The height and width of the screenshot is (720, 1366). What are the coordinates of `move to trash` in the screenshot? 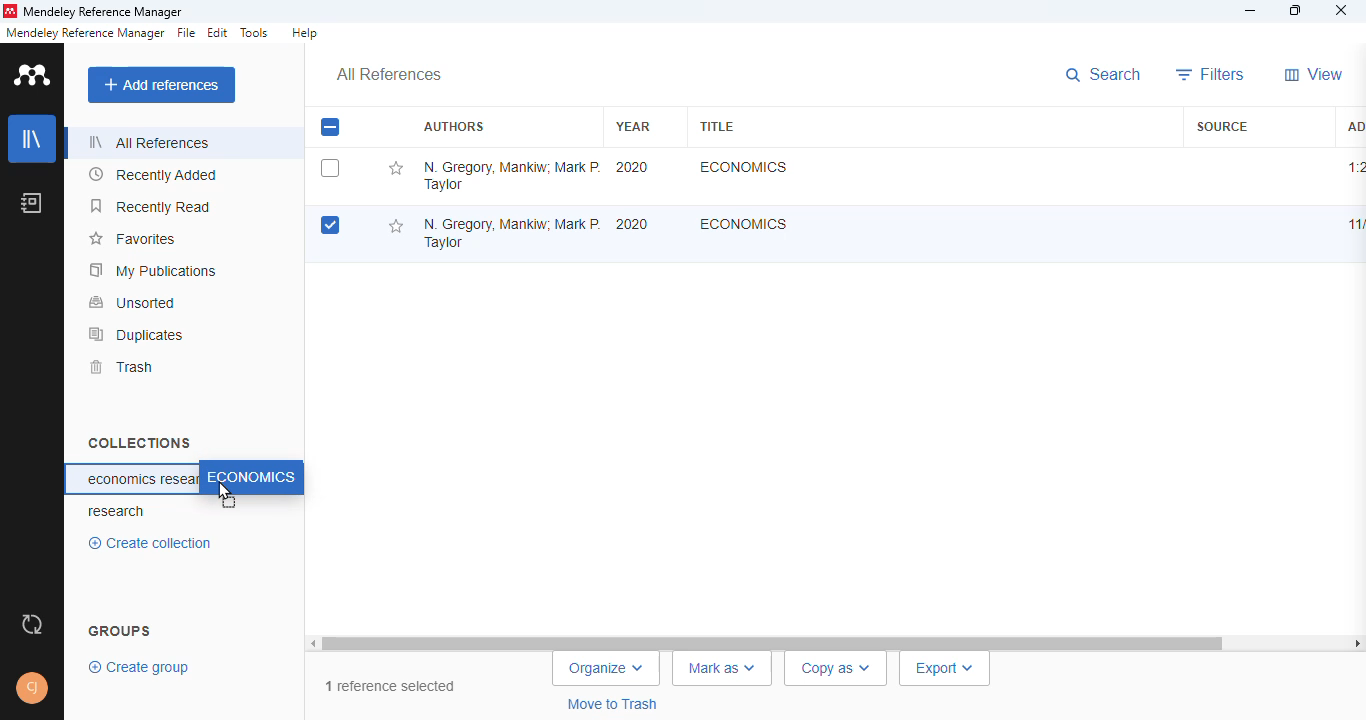 It's located at (620, 706).